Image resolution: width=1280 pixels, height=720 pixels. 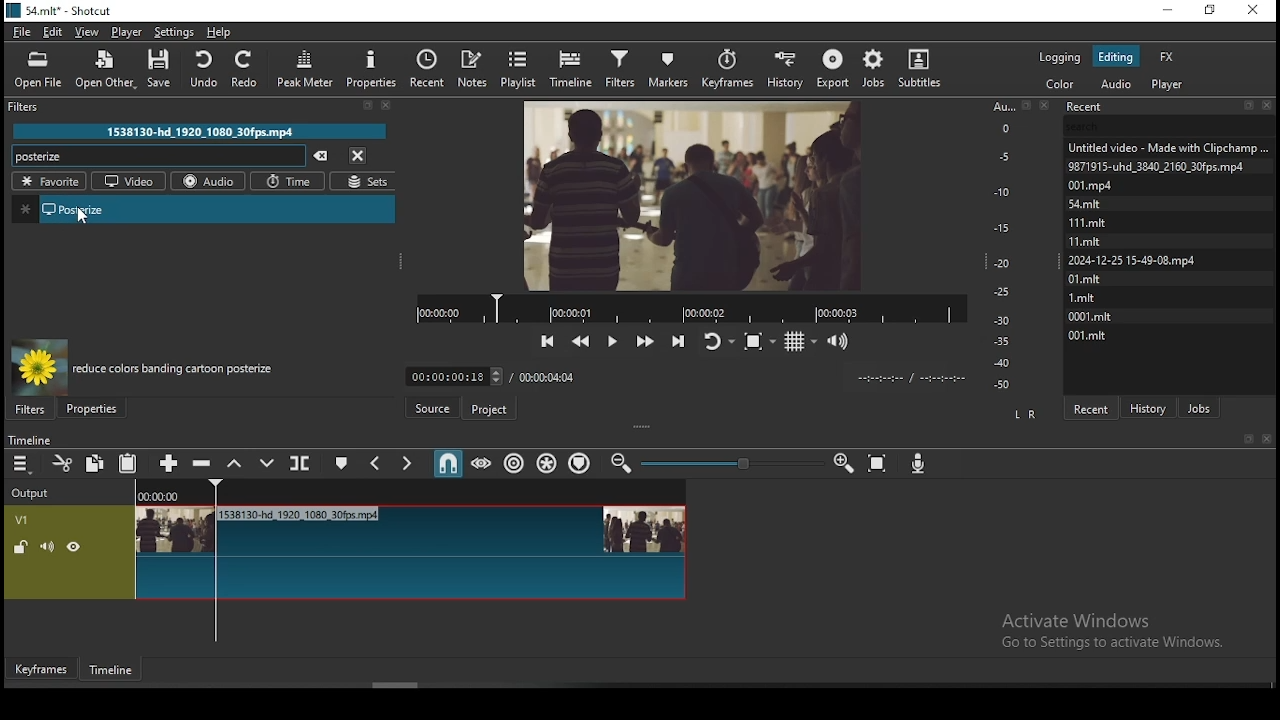 What do you see at coordinates (582, 341) in the screenshot?
I see `play quickly backwards` at bounding box center [582, 341].